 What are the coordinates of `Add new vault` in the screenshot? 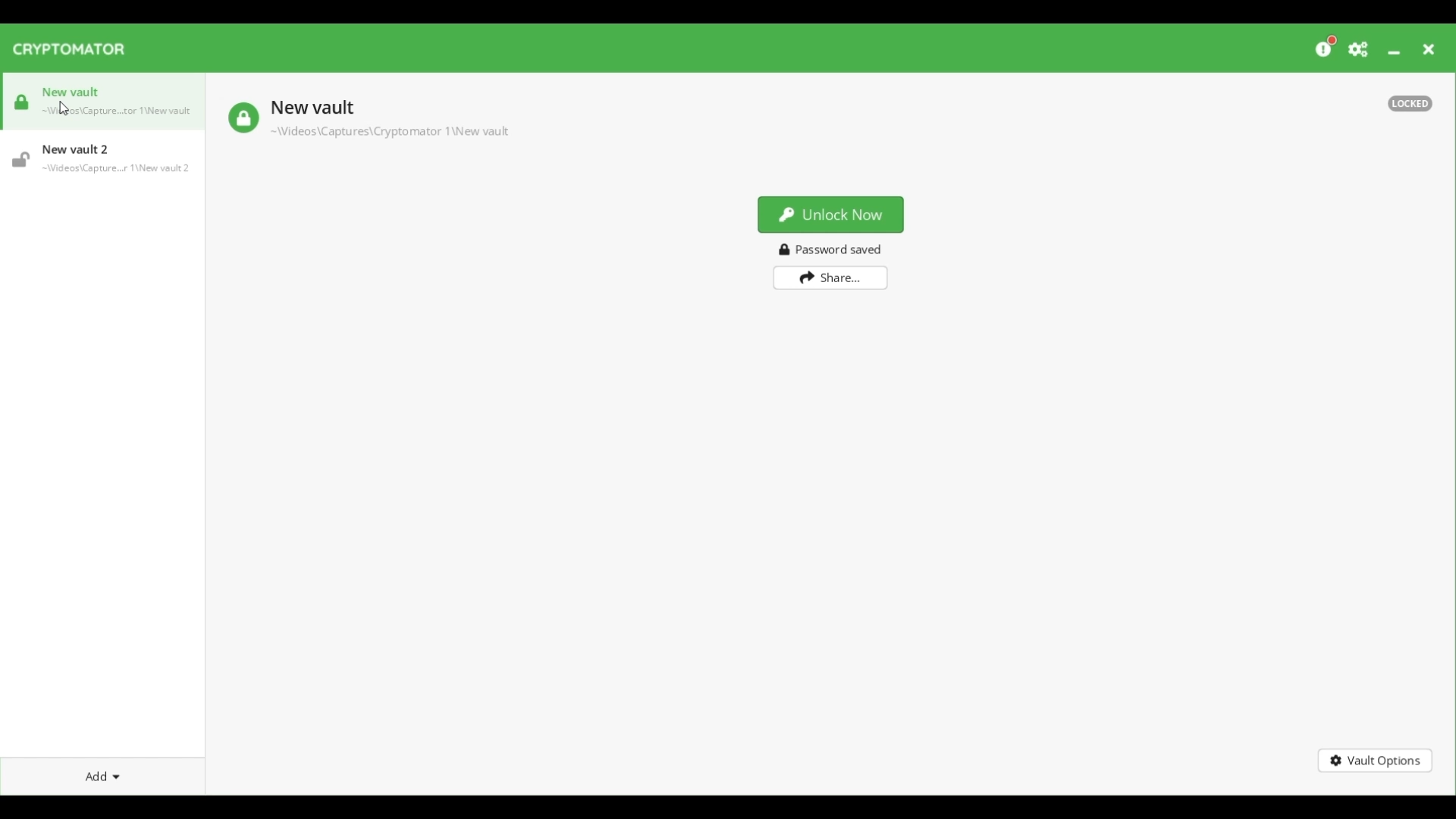 It's located at (102, 775).